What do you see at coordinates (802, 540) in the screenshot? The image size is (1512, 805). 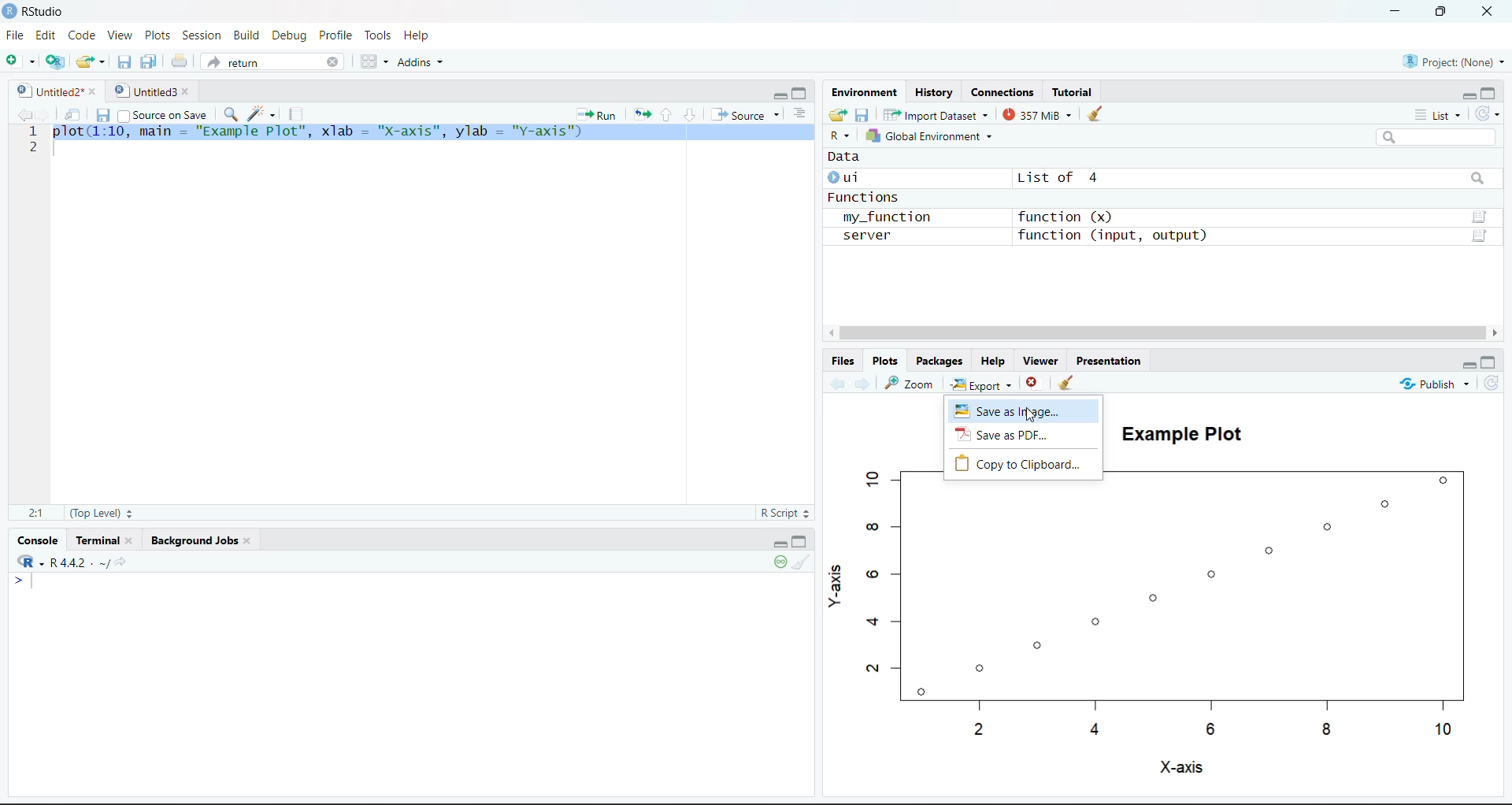 I see `Maximize/Restore` at bounding box center [802, 540].